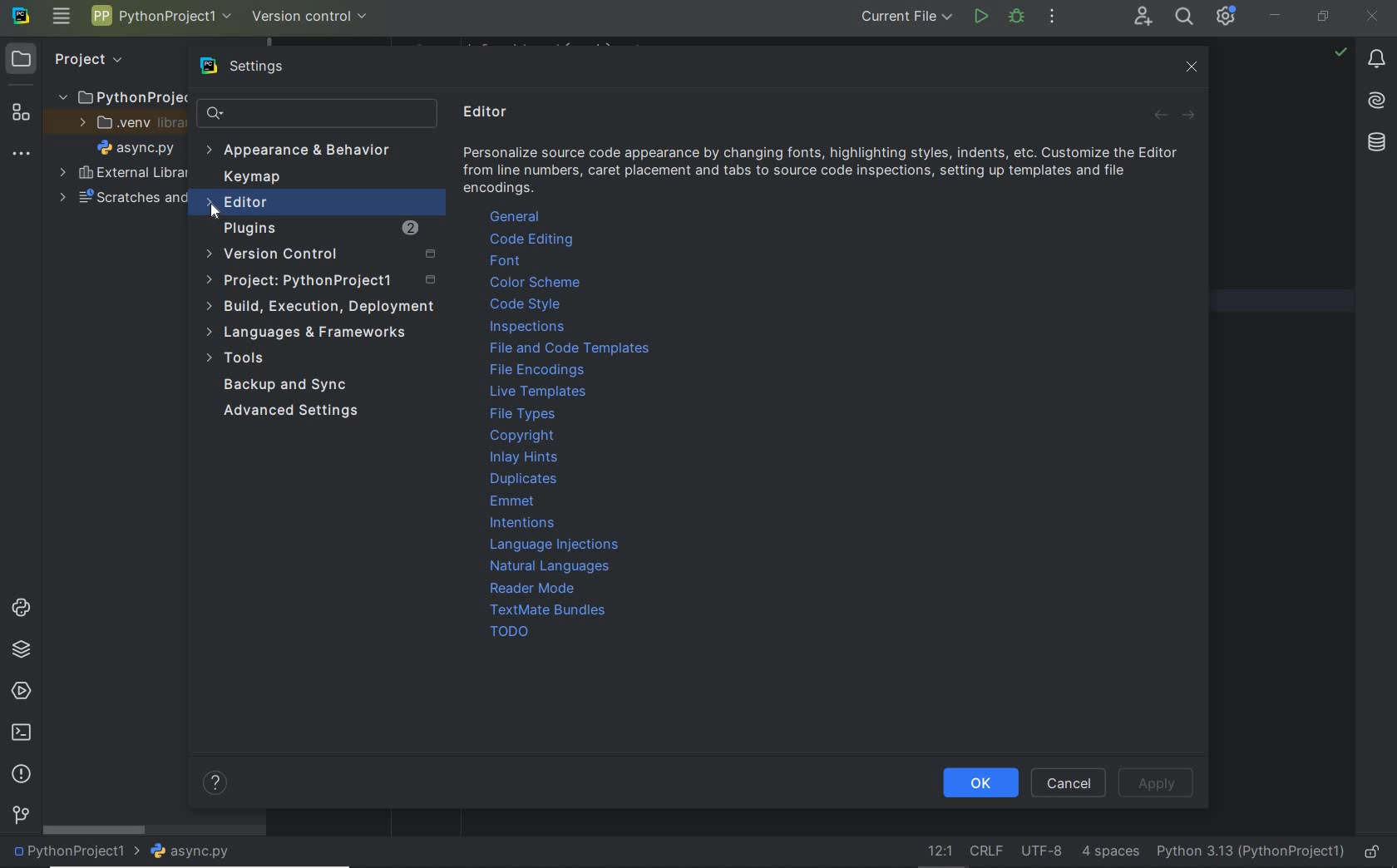 This screenshot has width=1397, height=868. I want to click on font, so click(512, 261).